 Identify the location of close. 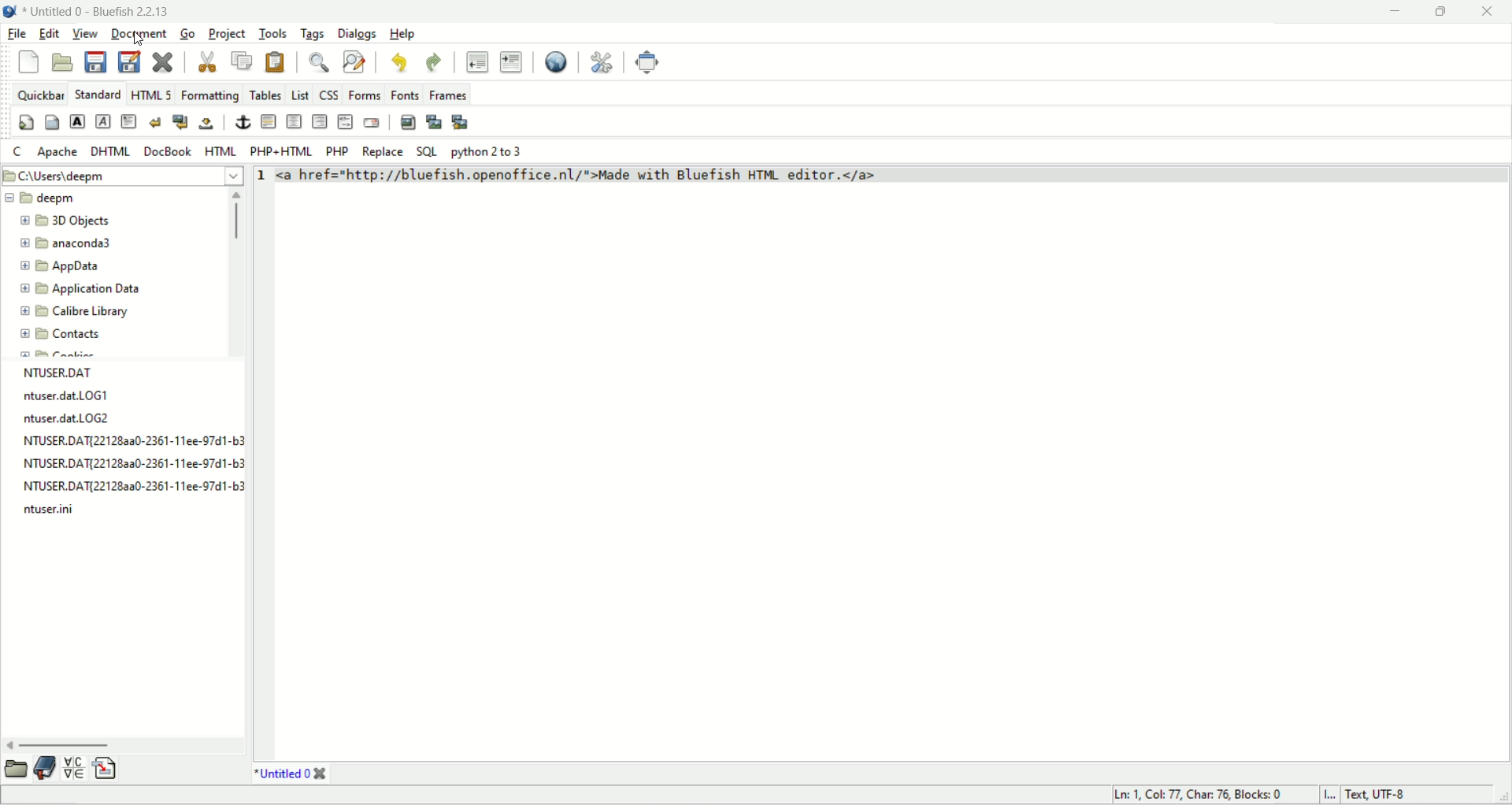
(1487, 12).